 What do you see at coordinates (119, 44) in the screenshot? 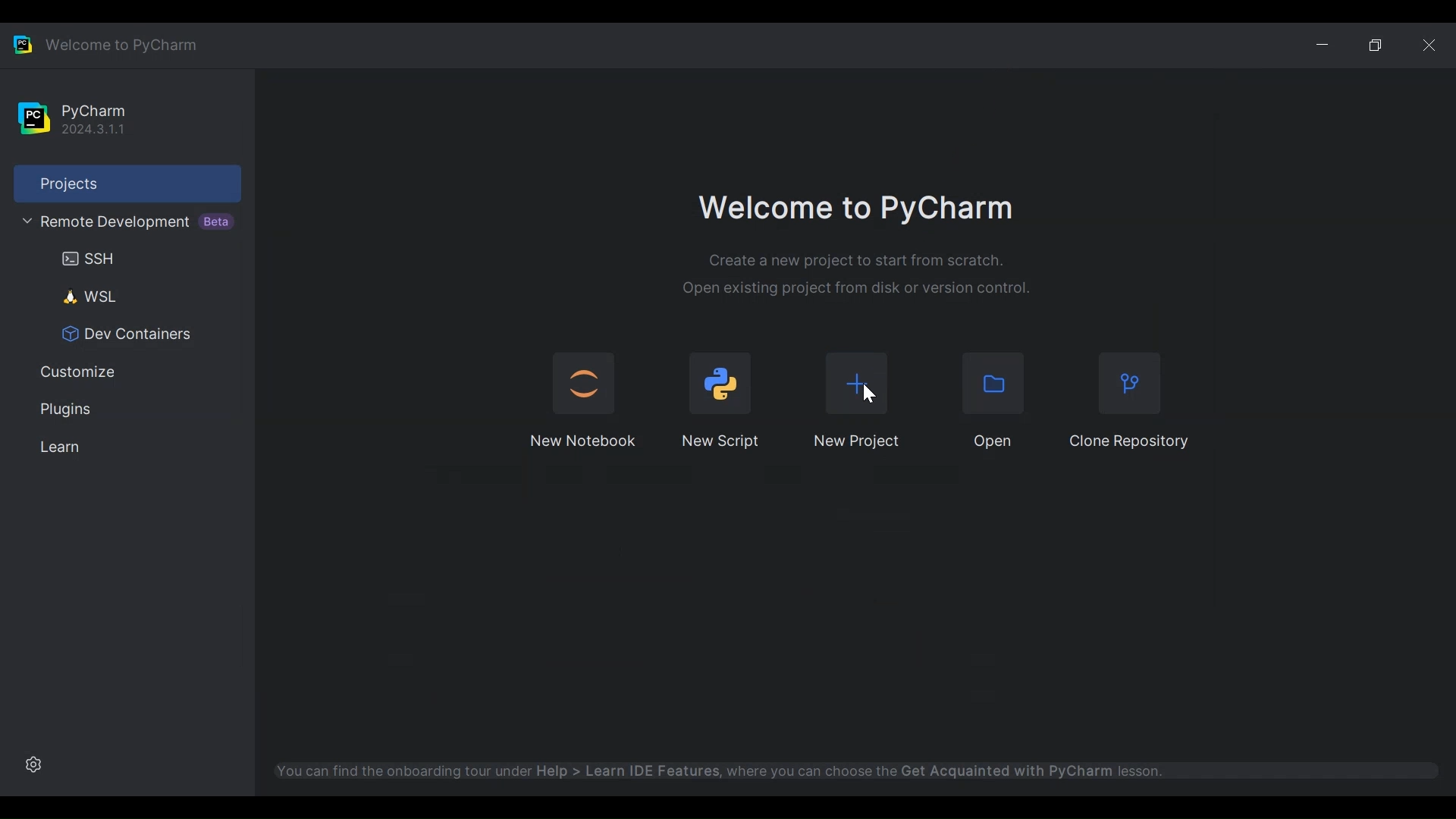
I see `Welcome to PyCharm` at bounding box center [119, 44].